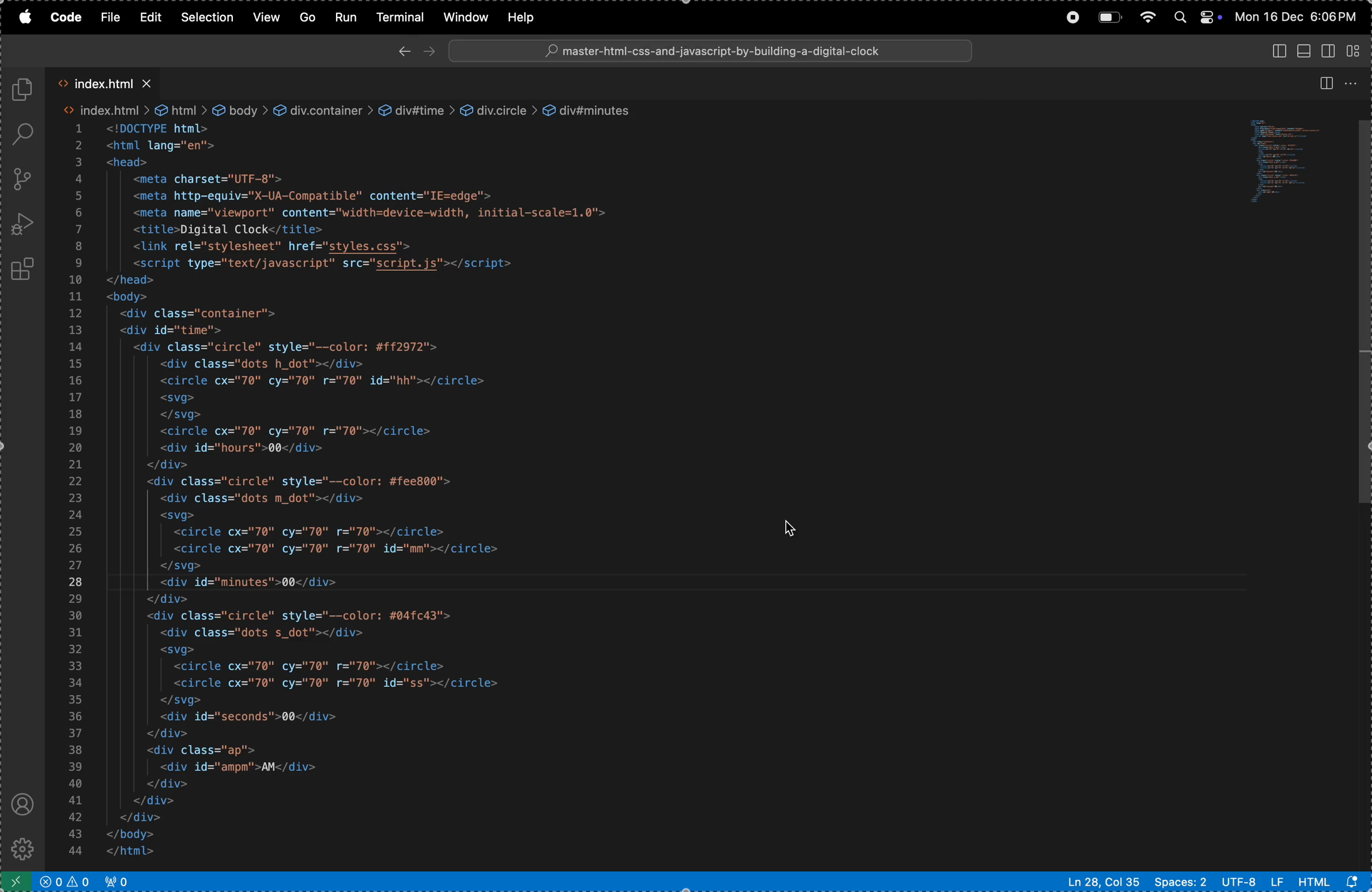 The image size is (1372, 892). What do you see at coordinates (151, 18) in the screenshot?
I see `edit` at bounding box center [151, 18].